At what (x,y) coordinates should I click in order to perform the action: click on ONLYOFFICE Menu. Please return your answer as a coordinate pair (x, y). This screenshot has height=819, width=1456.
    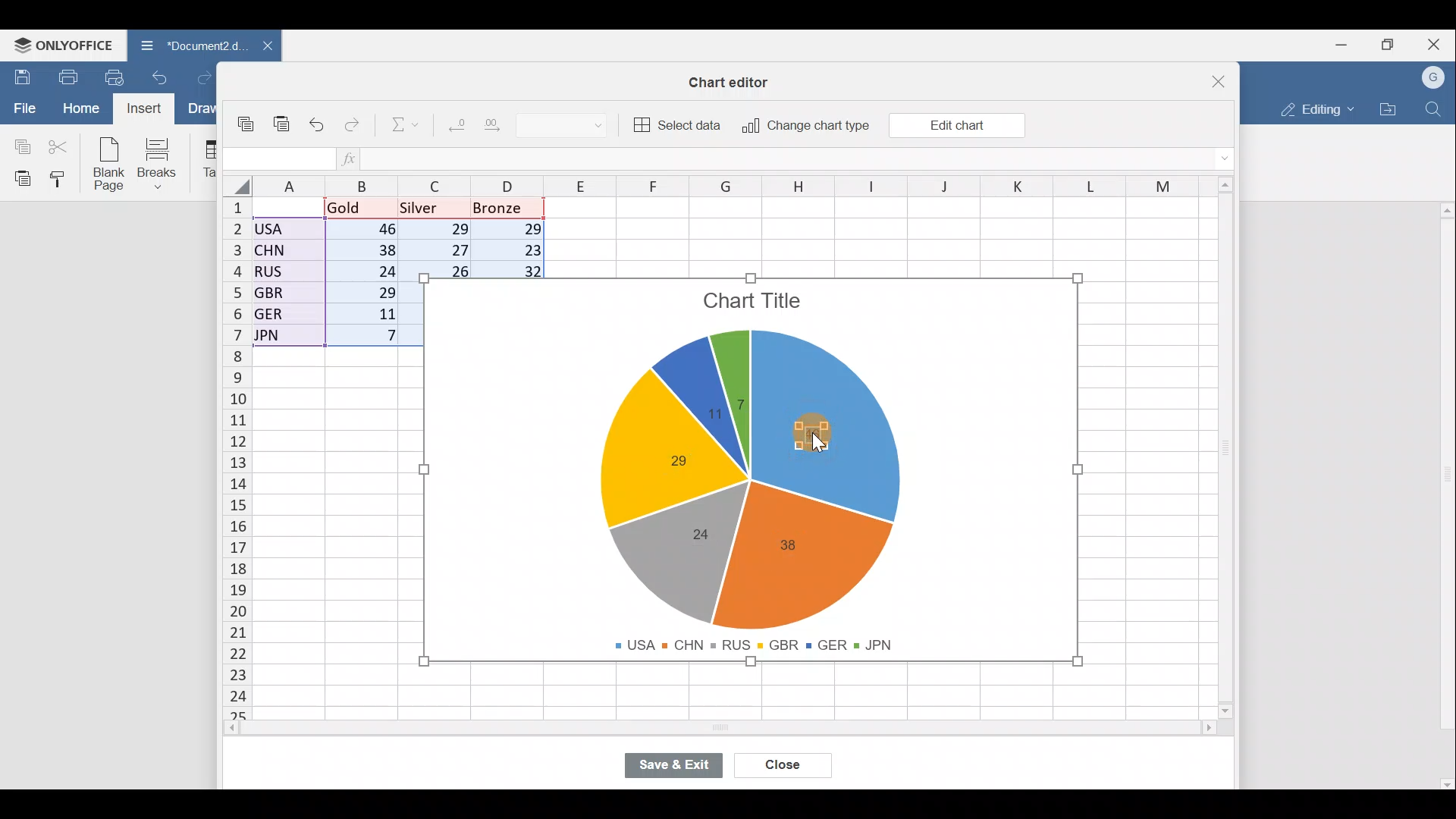
    Looking at the image, I should click on (61, 45).